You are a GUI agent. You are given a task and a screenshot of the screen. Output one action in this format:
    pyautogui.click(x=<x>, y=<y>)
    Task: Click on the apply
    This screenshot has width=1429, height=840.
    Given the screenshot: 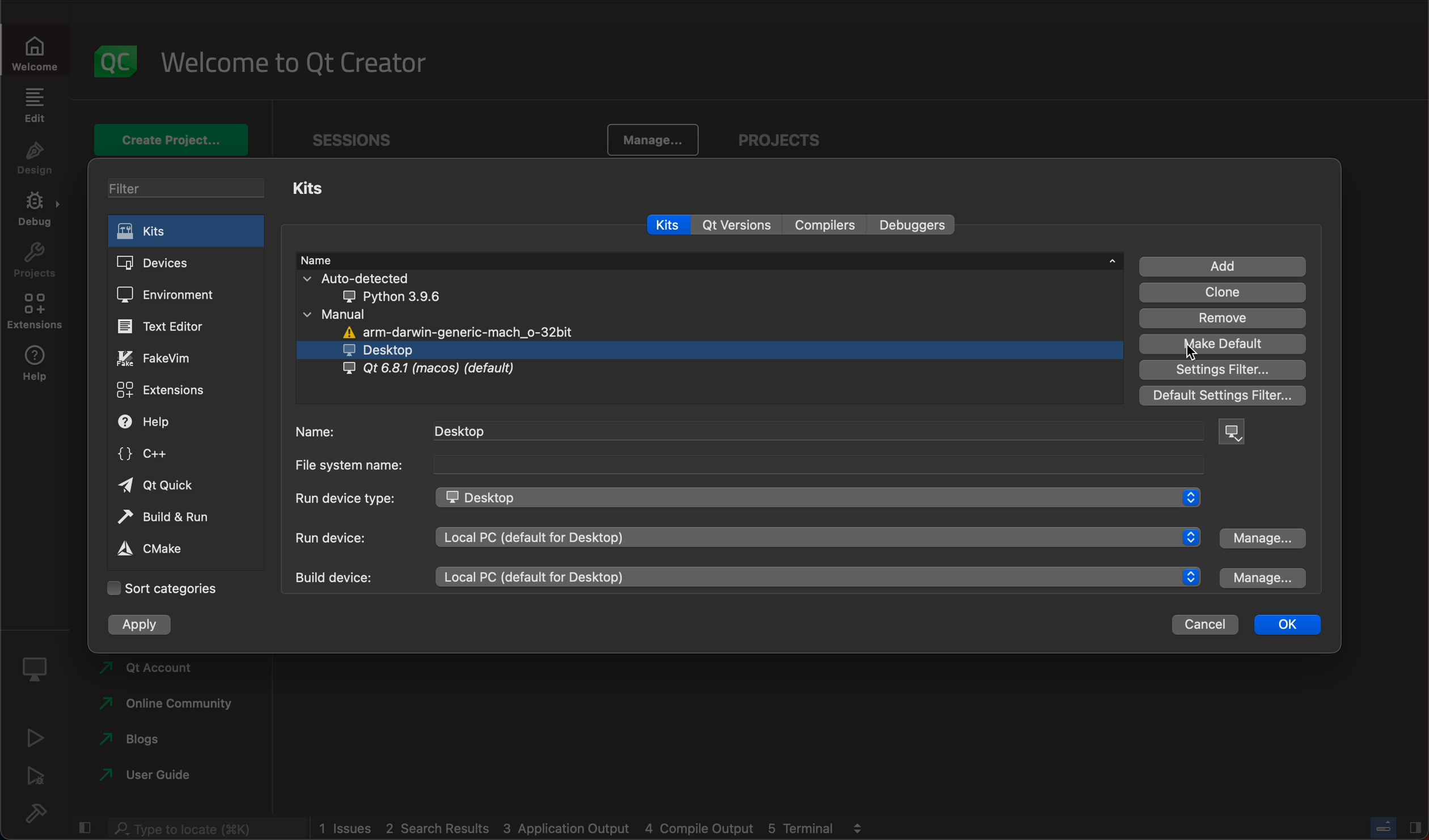 What is the action you would take?
    pyautogui.click(x=143, y=626)
    